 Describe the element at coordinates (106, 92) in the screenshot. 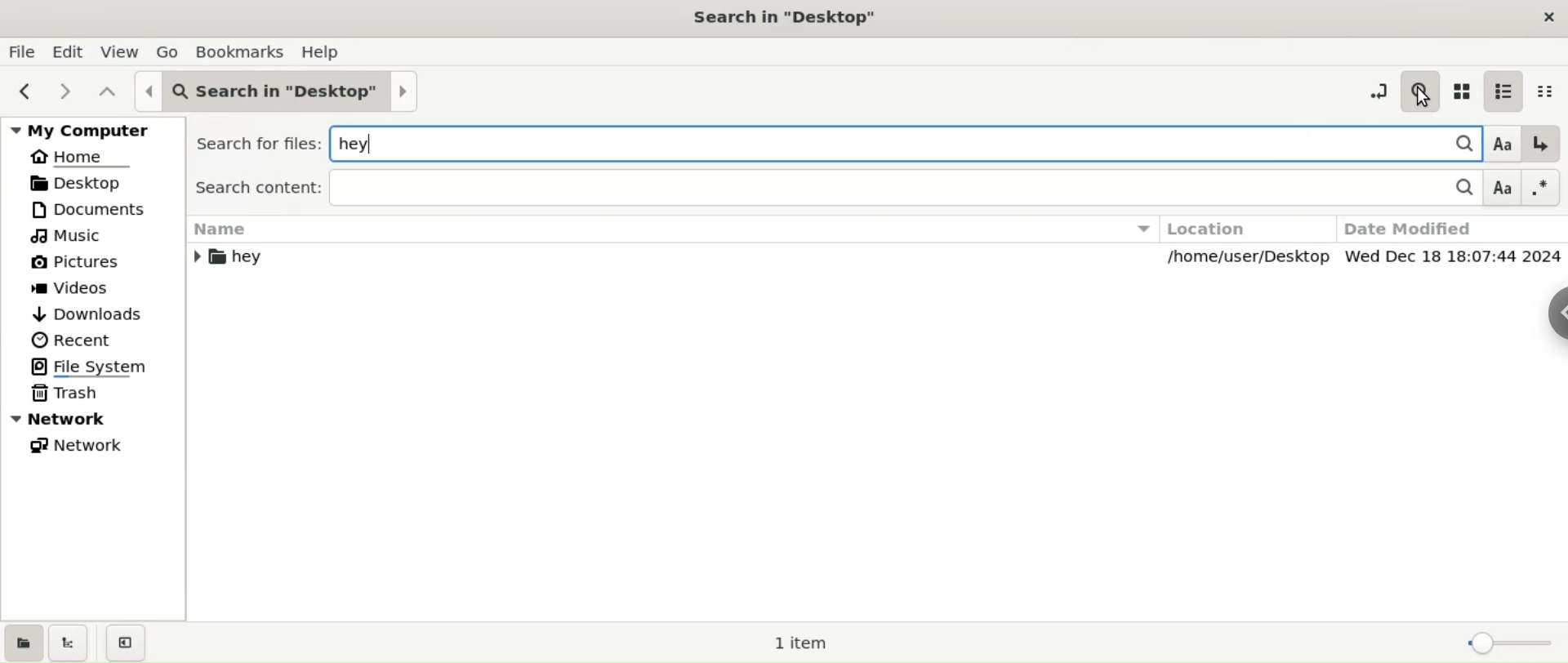

I see `paren folder` at that location.